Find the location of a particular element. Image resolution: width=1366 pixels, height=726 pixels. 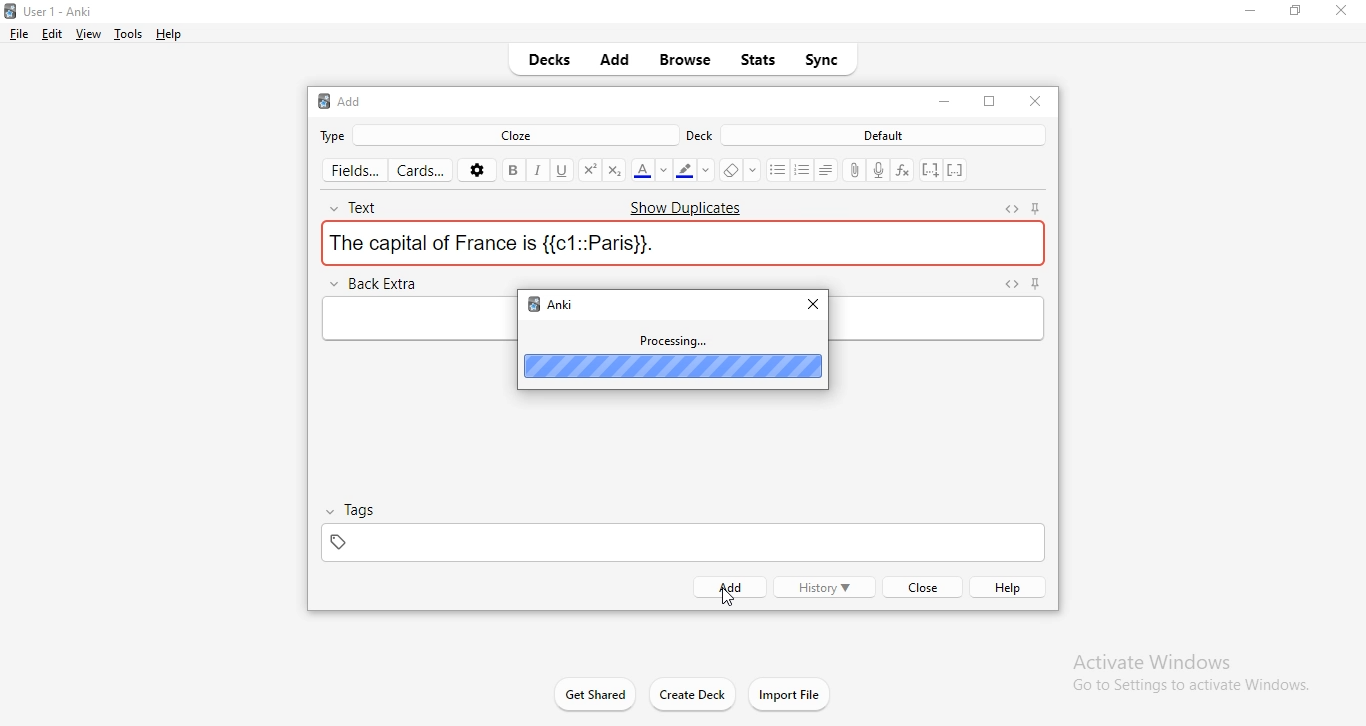

cloze is located at coordinates (521, 134).